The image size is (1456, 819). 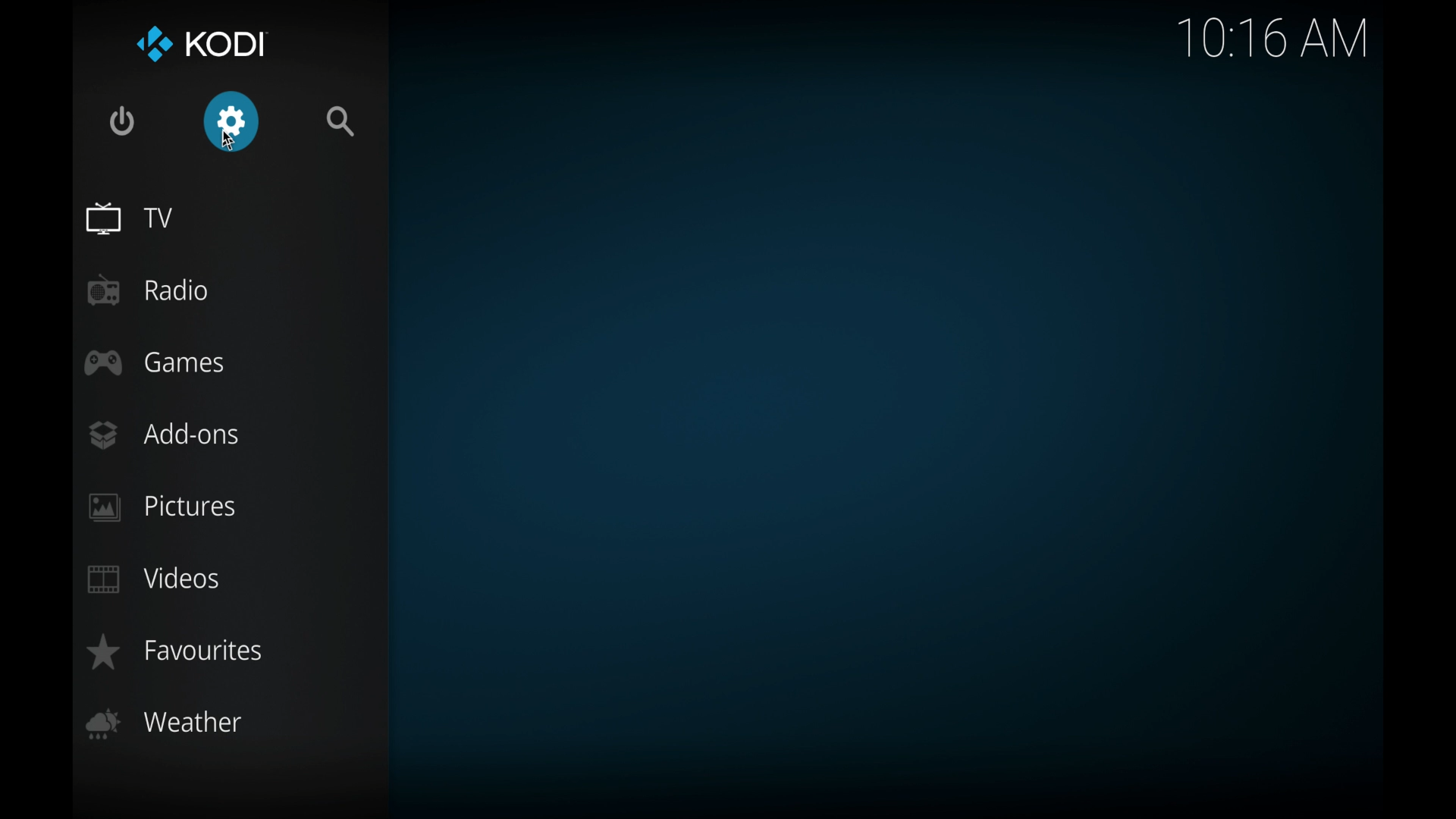 What do you see at coordinates (205, 43) in the screenshot?
I see `Kodi` at bounding box center [205, 43].